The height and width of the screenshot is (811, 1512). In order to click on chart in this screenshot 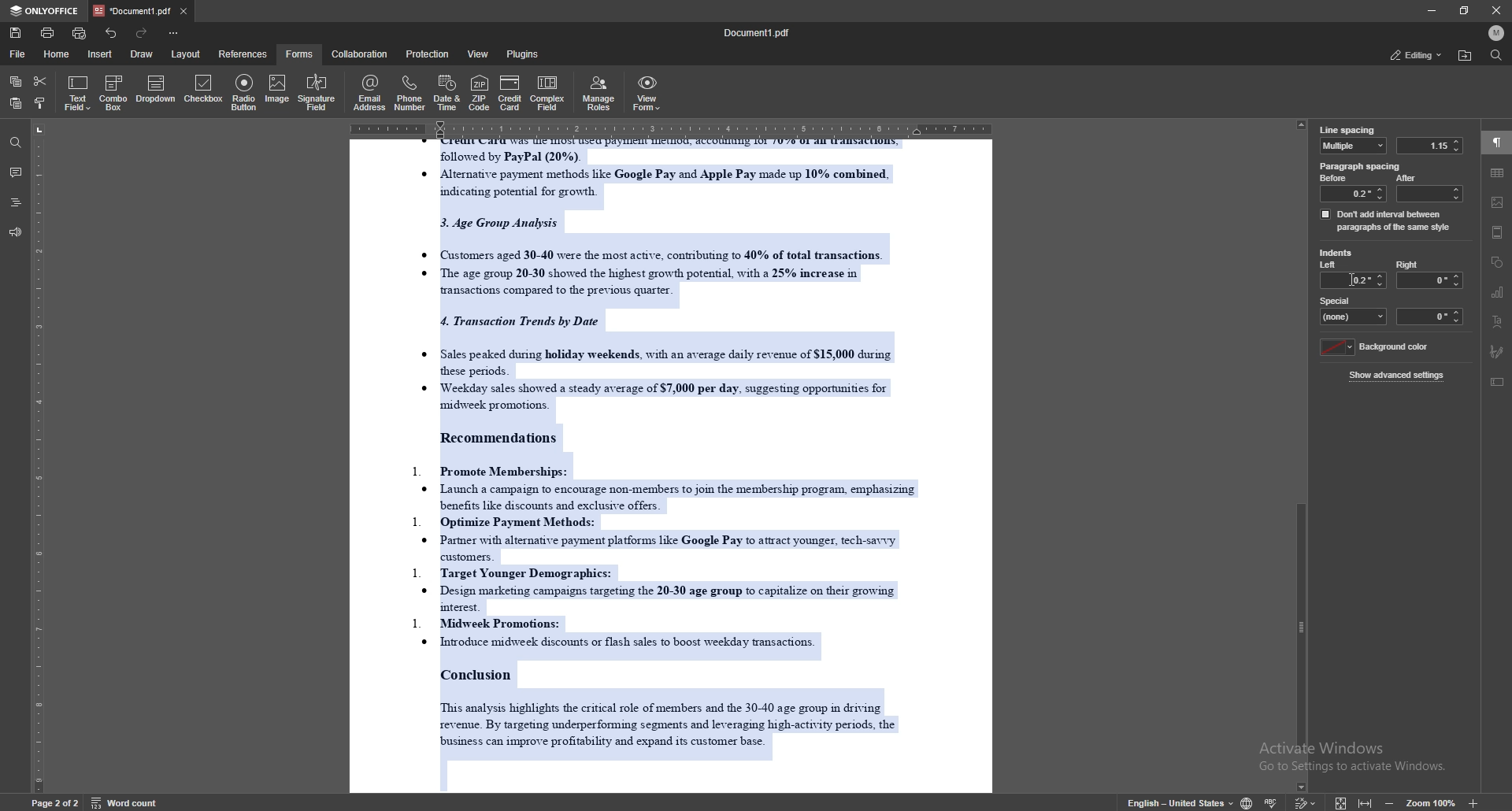, I will do `click(1498, 293)`.